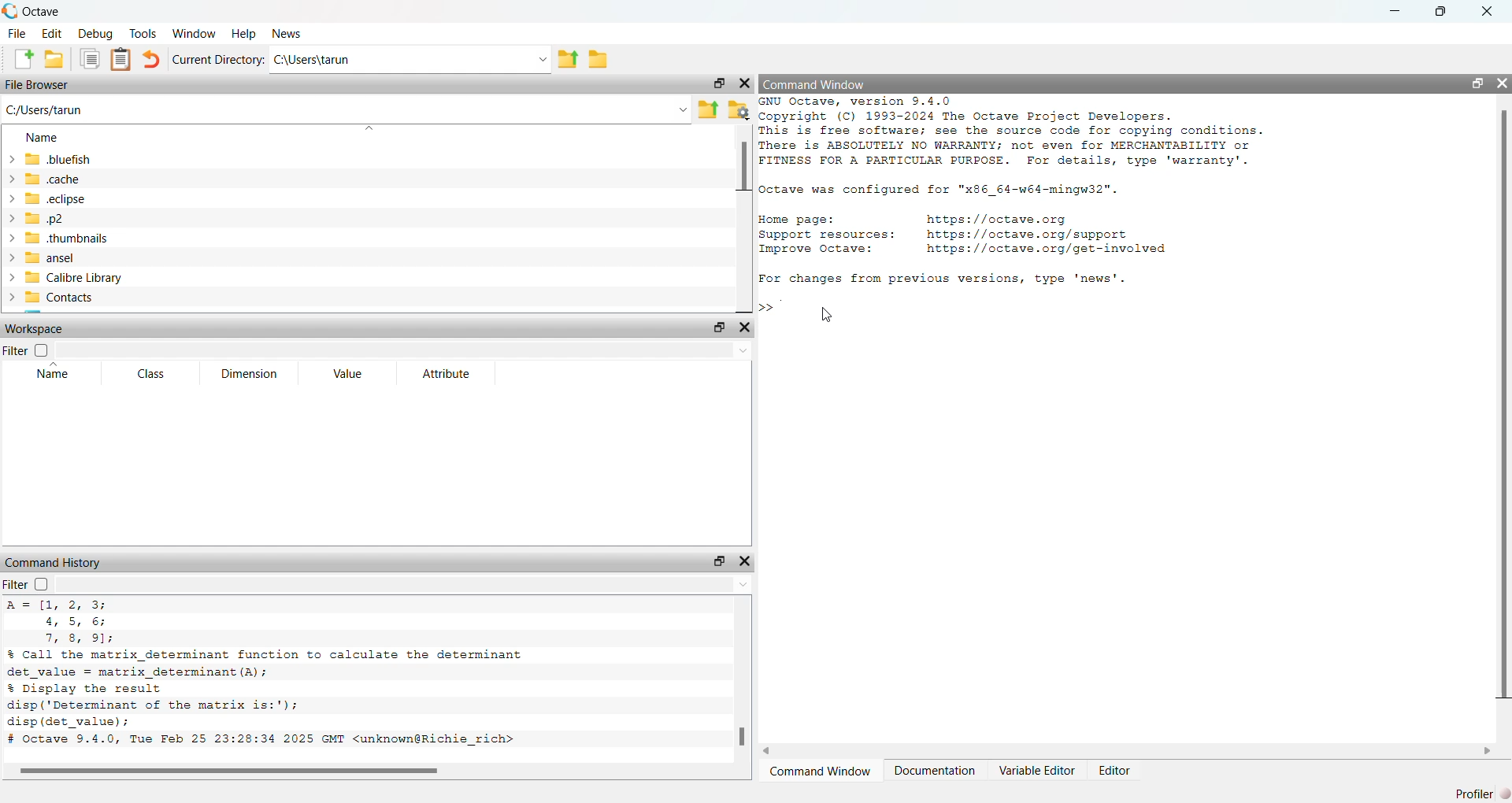 This screenshot has width=1512, height=803. Describe the element at coordinates (601, 60) in the screenshot. I see `browse directories` at that location.